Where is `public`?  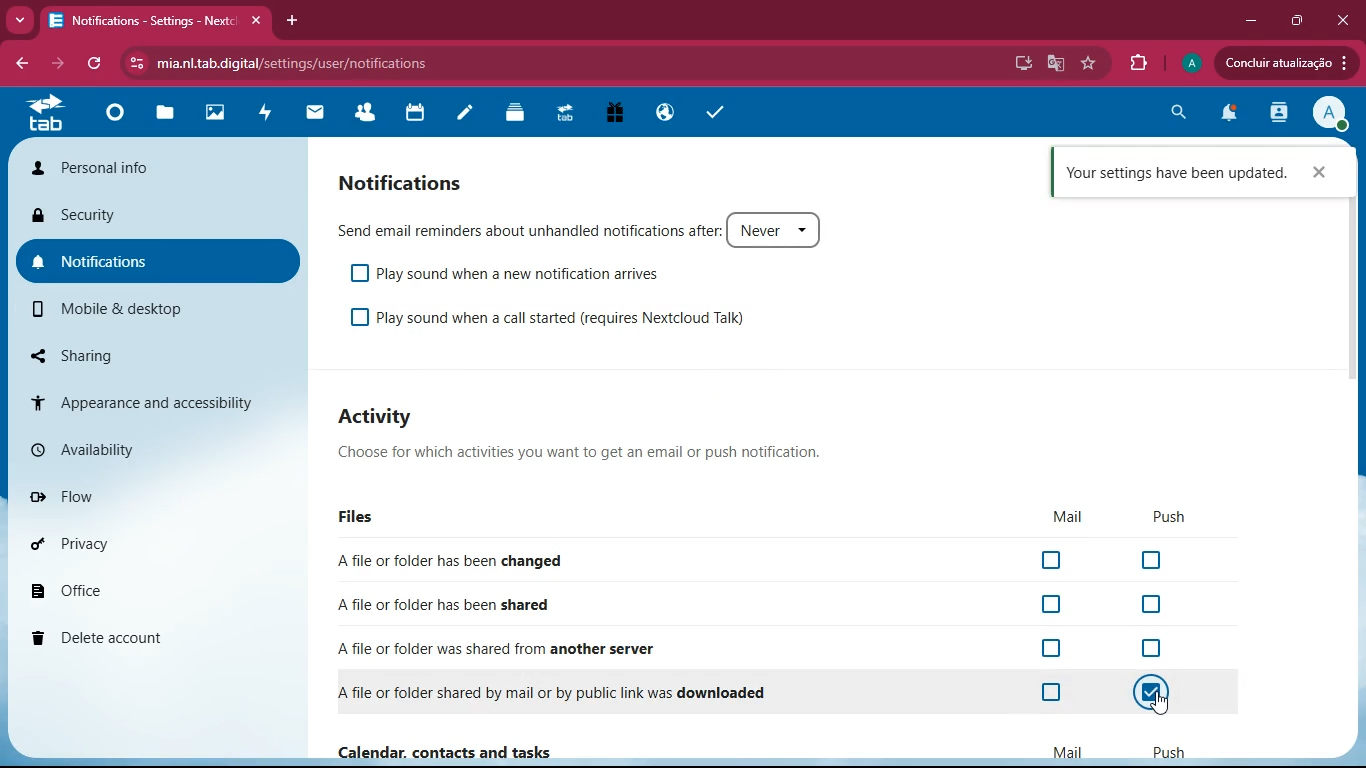
public is located at coordinates (661, 111).